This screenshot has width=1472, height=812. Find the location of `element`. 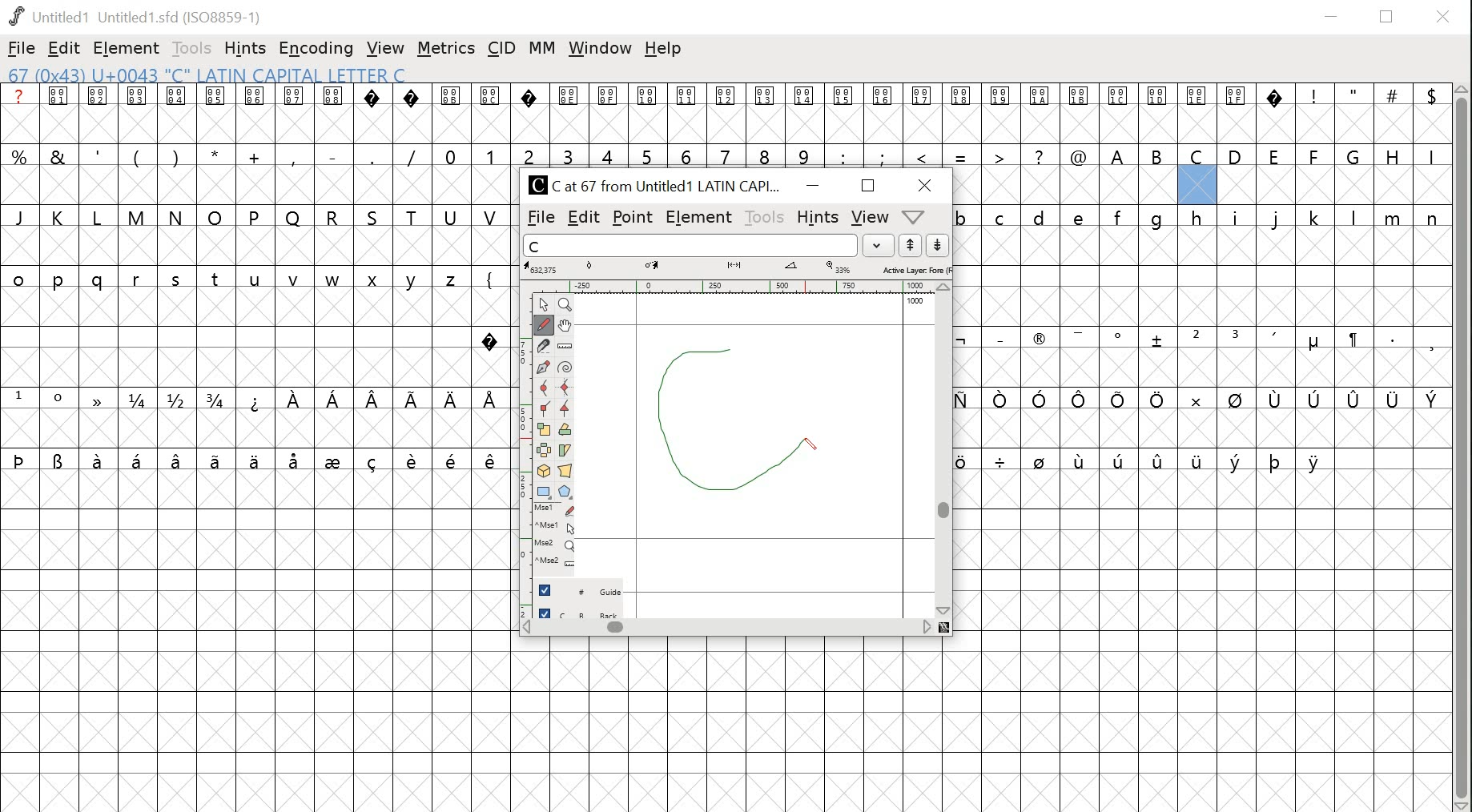

element is located at coordinates (700, 215).